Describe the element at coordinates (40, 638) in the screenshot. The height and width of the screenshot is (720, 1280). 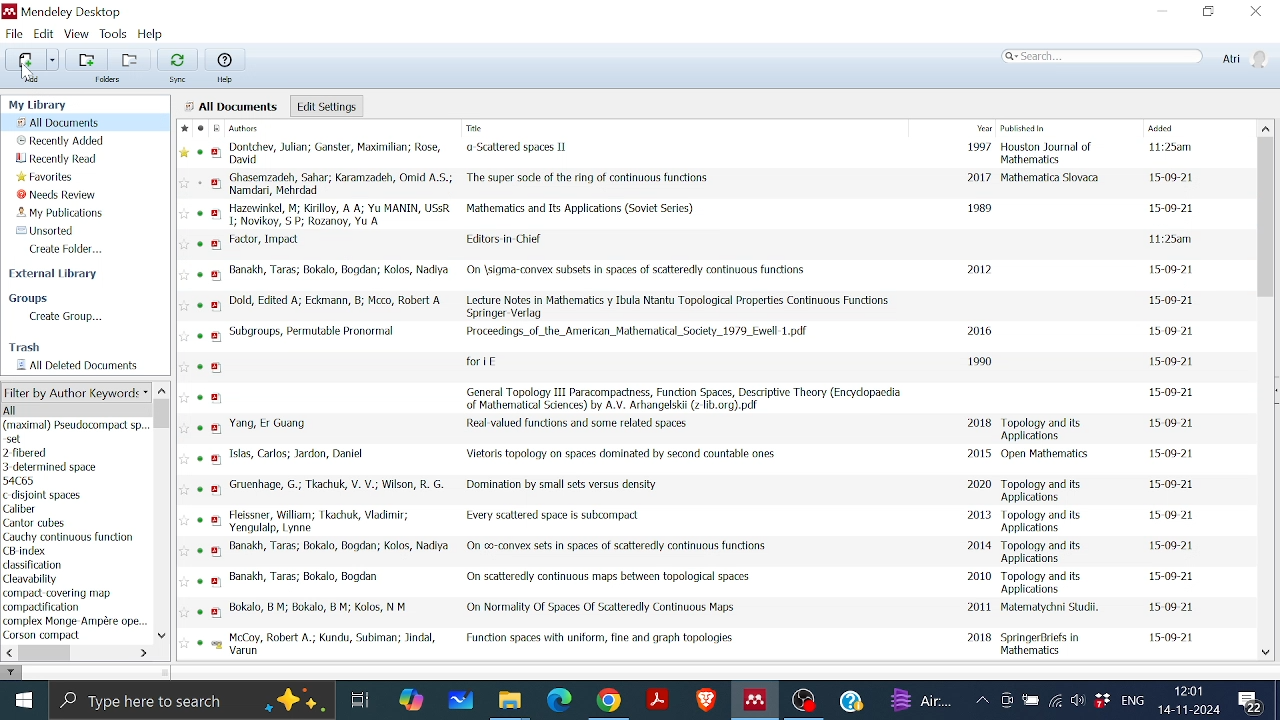
I see `Keyword` at that location.